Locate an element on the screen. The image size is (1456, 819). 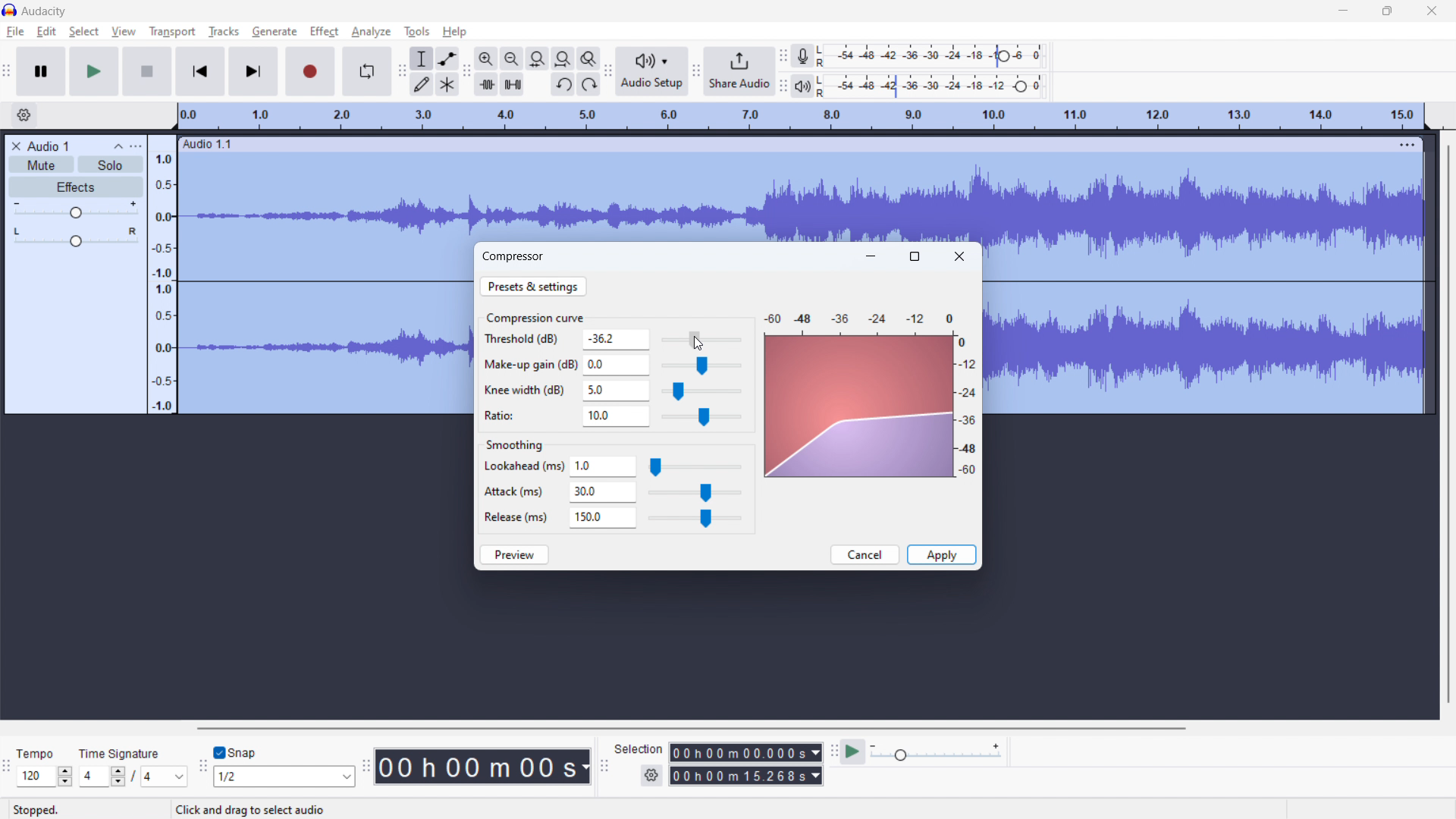
time signature toolbar is located at coordinates (8, 769).